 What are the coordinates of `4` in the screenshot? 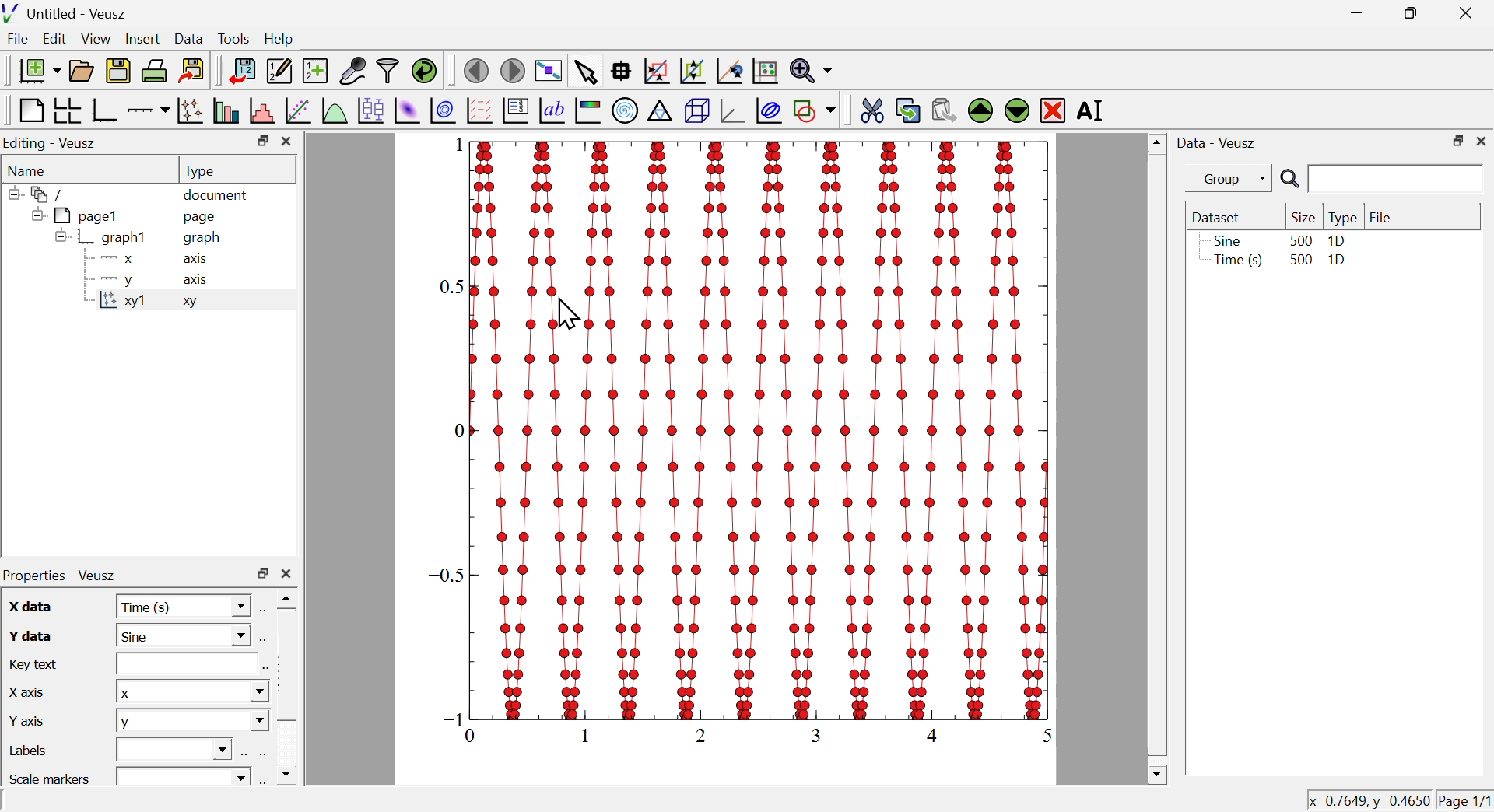 It's located at (937, 734).